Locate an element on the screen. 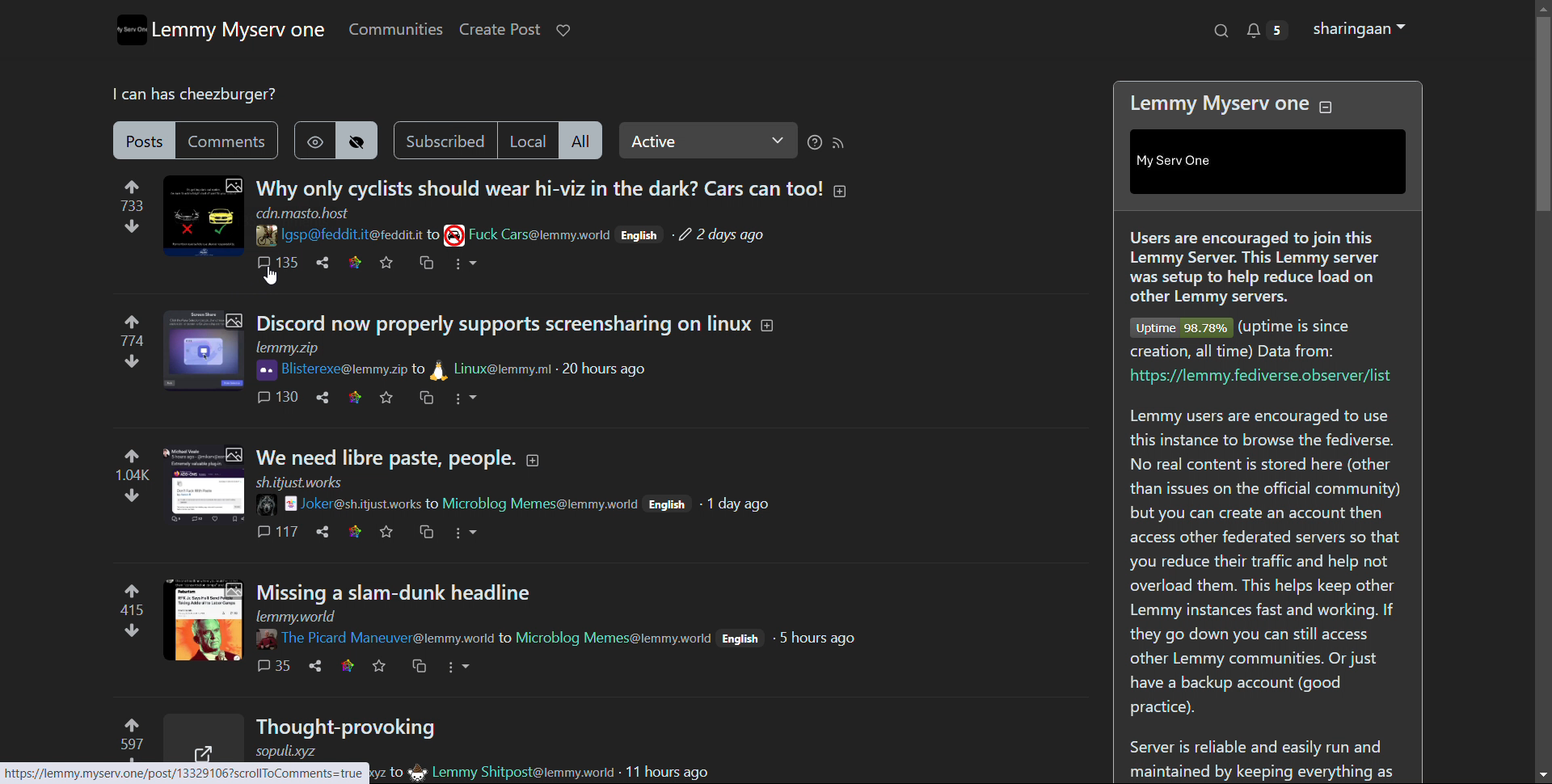 The width and height of the screenshot is (1552, 784). upvote 597 is located at coordinates (133, 734).